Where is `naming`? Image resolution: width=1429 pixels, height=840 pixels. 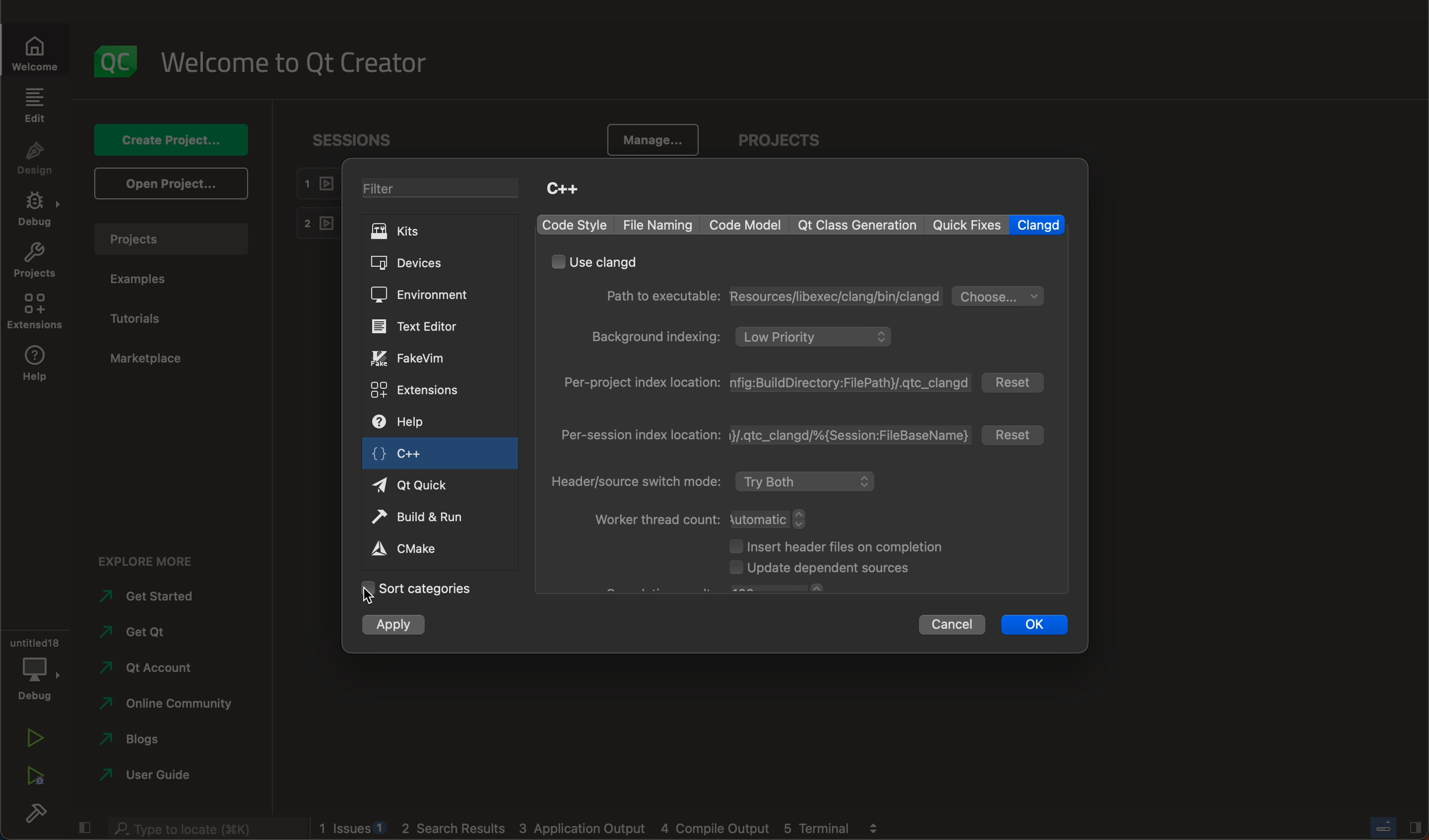
naming is located at coordinates (658, 224).